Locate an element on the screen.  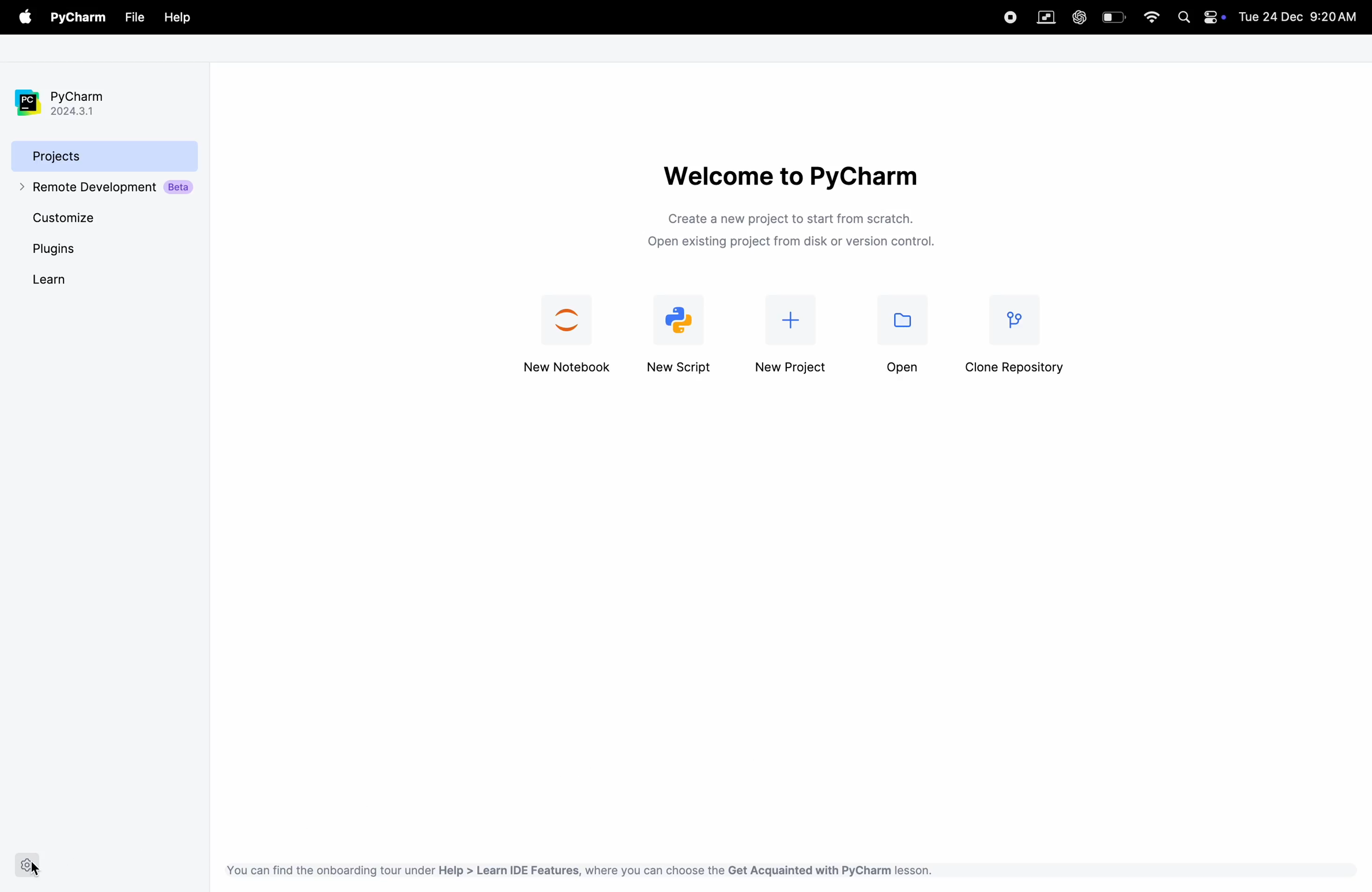
record is located at coordinates (1004, 16).